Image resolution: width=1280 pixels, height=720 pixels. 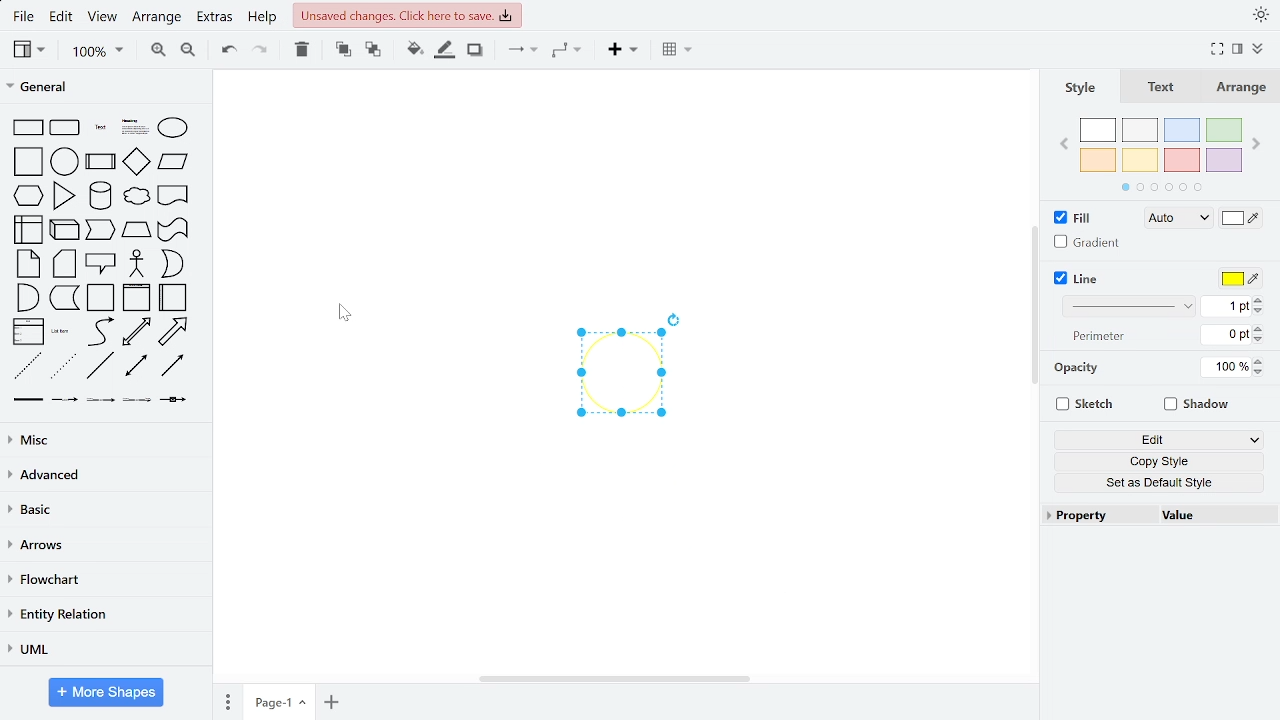 What do you see at coordinates (101, 231) in the screenshot?
I see `step` at bounding box center [101, 231].